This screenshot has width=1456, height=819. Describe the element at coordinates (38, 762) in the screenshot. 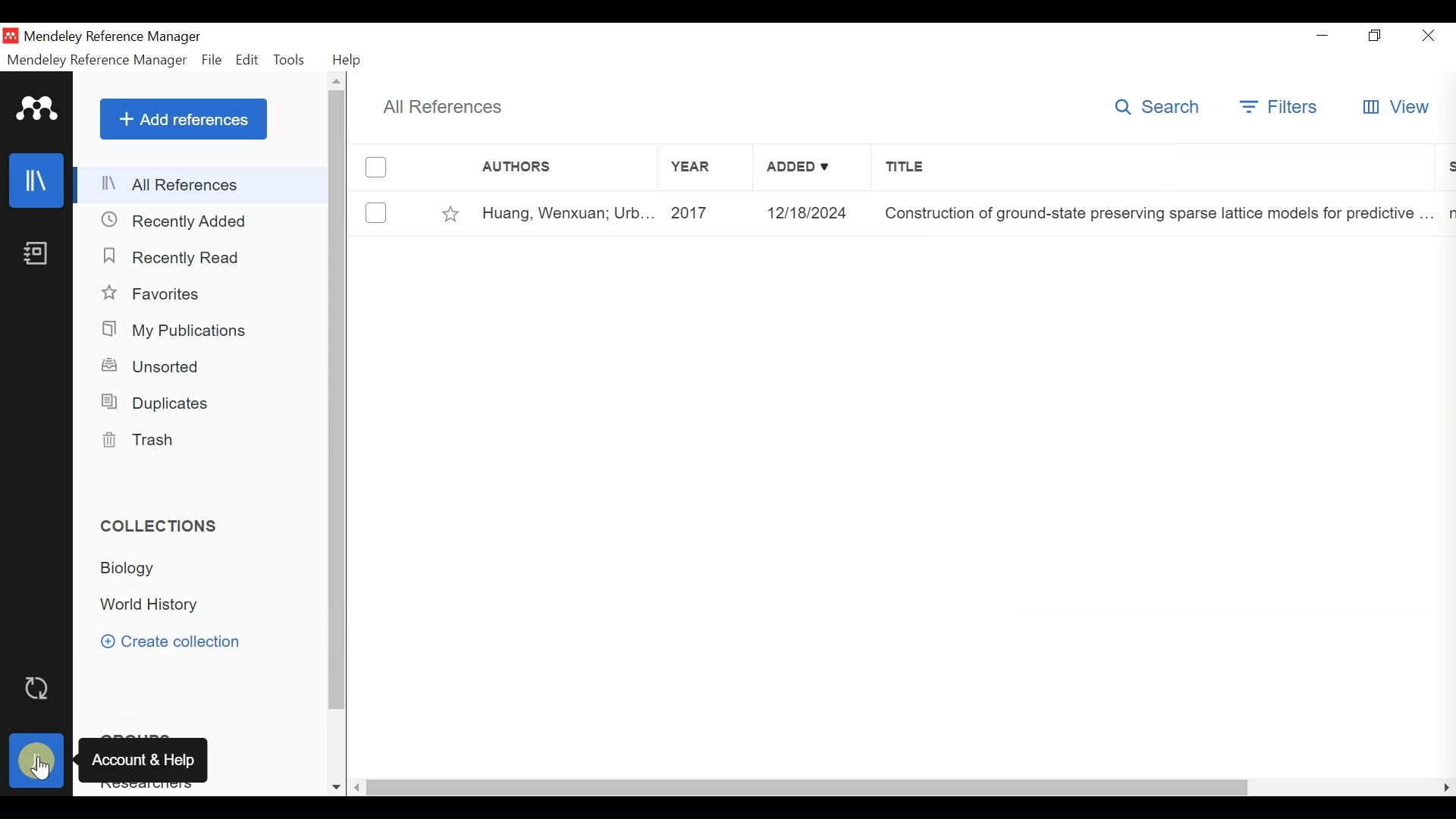

I see `Avatar` at that location.